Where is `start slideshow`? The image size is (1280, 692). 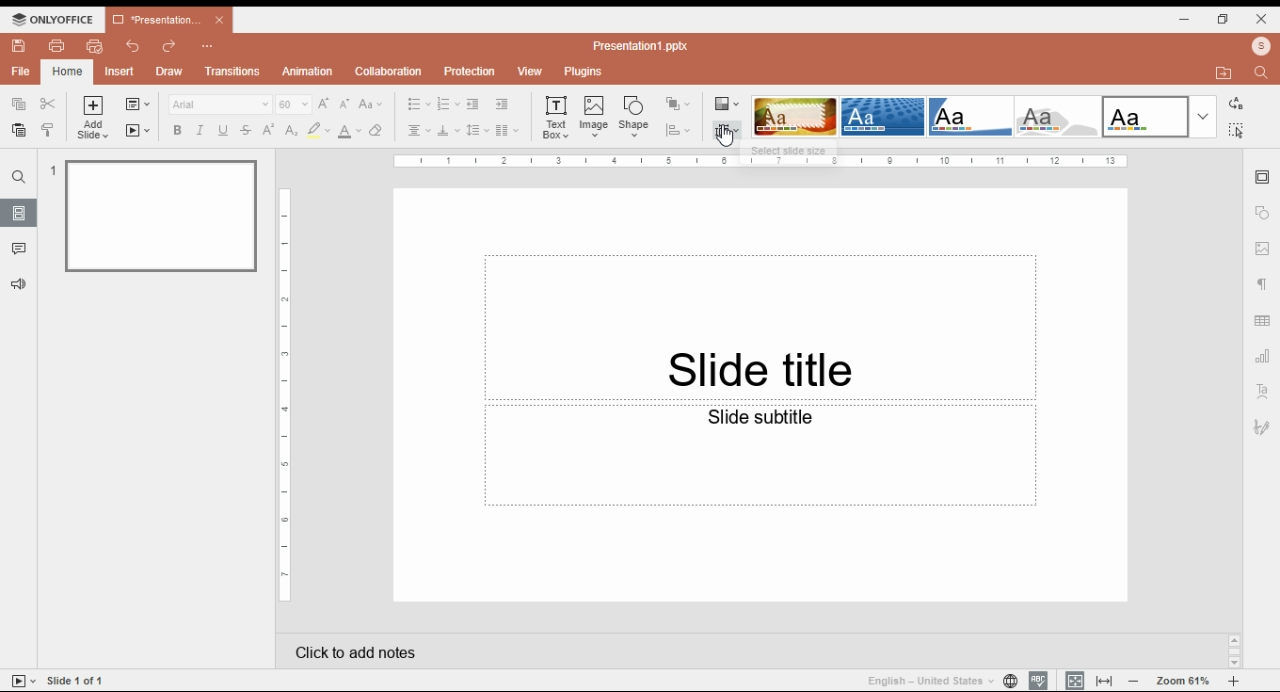 start slideshow is located at coordinates (138, 131).